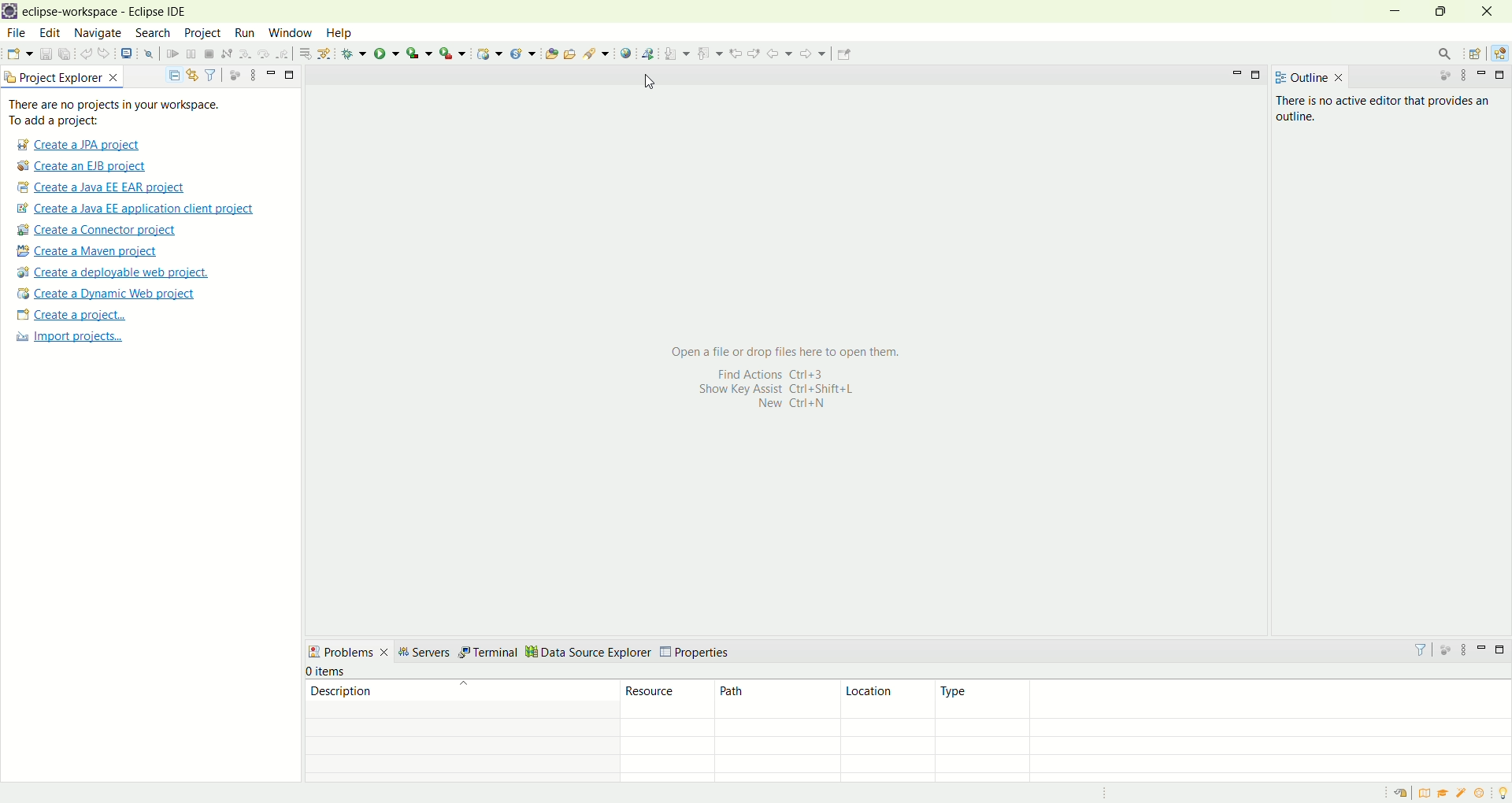 This screenshot has width=1512, height=803. Describe the element at coordinates (591, 651) in the screenshot. I see `data source explorer` at that location.